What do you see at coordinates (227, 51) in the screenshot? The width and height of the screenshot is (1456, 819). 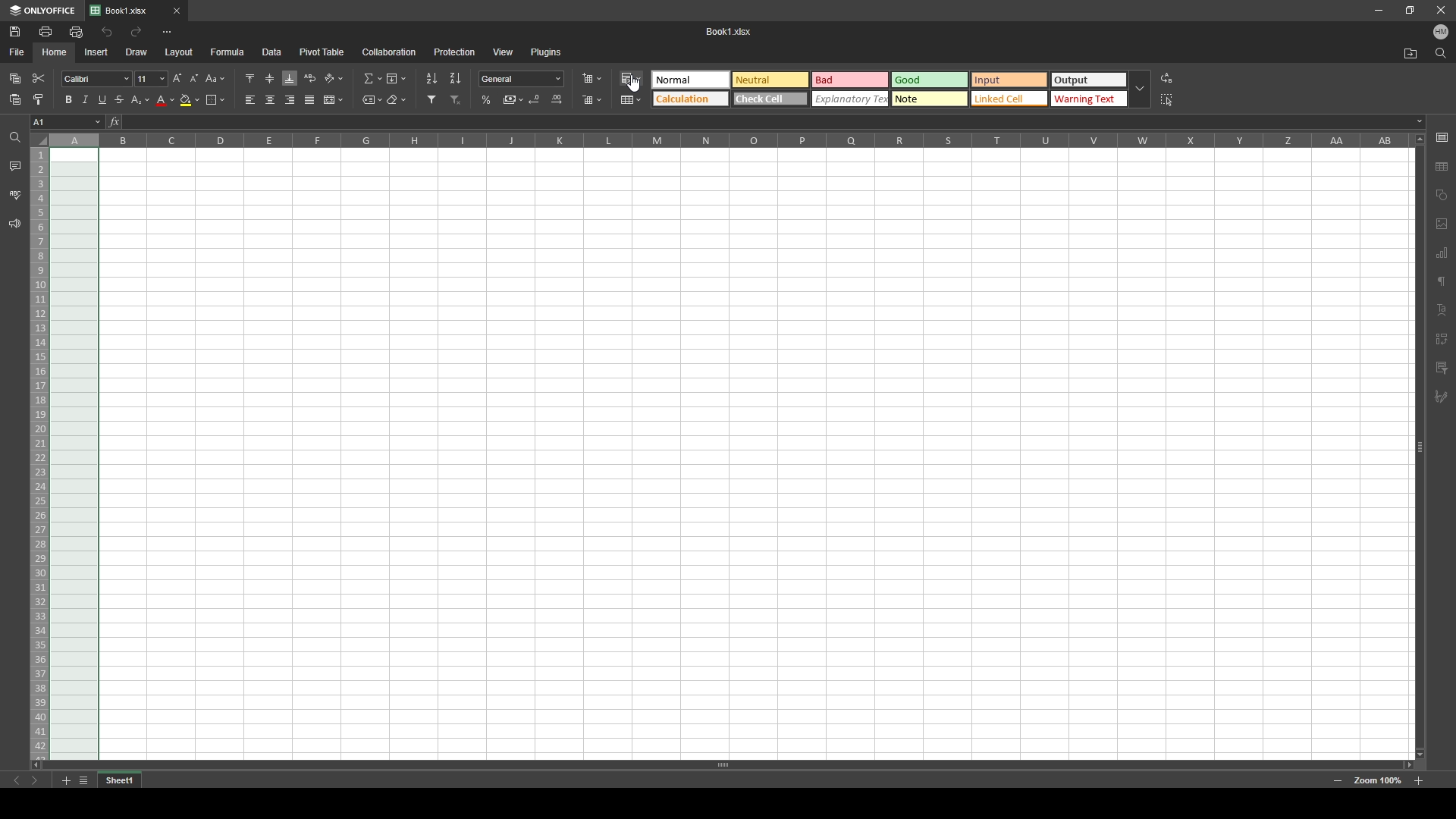 I see `formula` at bounding box center [227, 51].